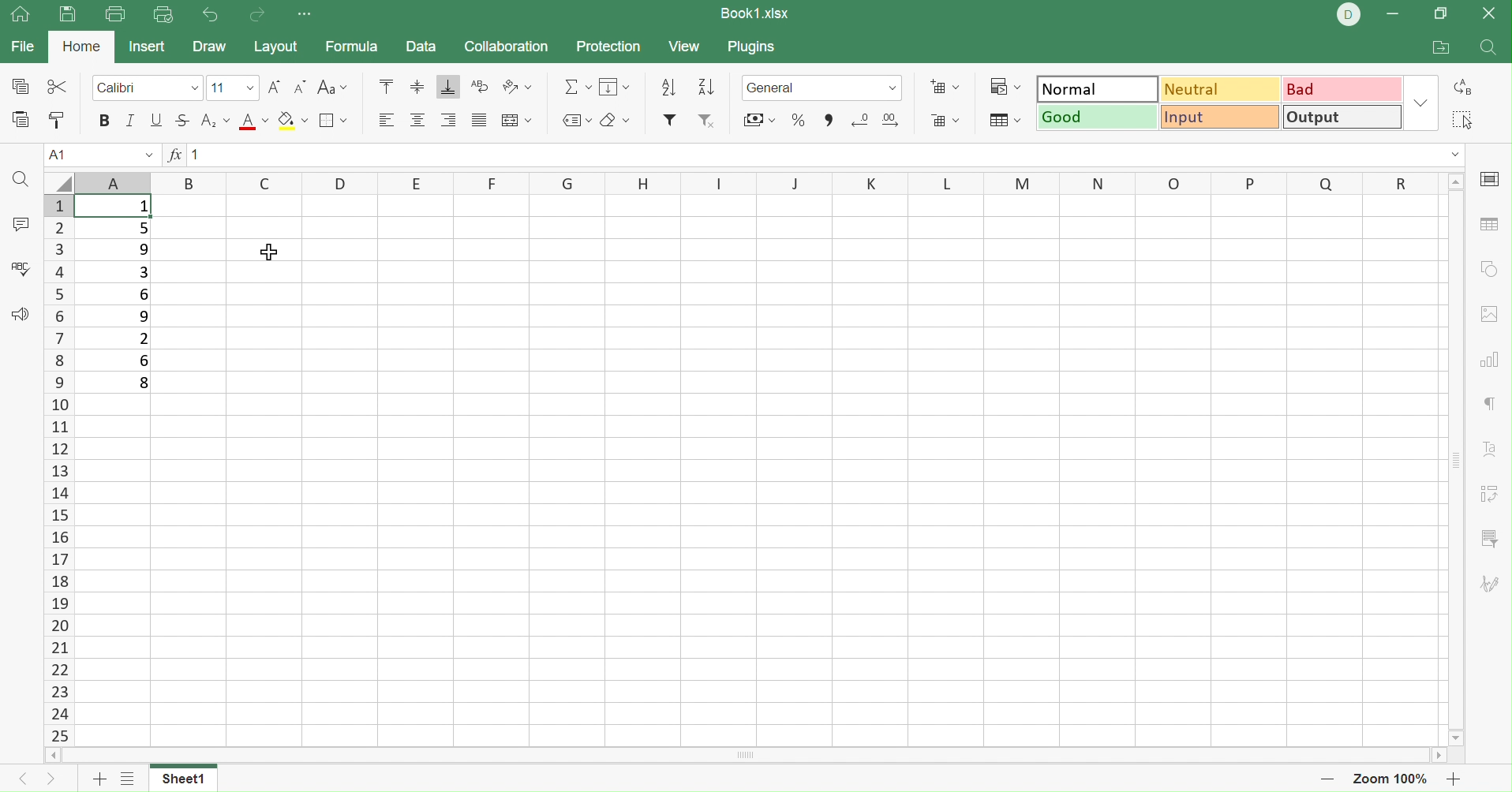 The width and height of the screenshot is (1512, 792). Describe the element at coordinates (1223, 88) in the screenshot. I see `Neutral` at that location.